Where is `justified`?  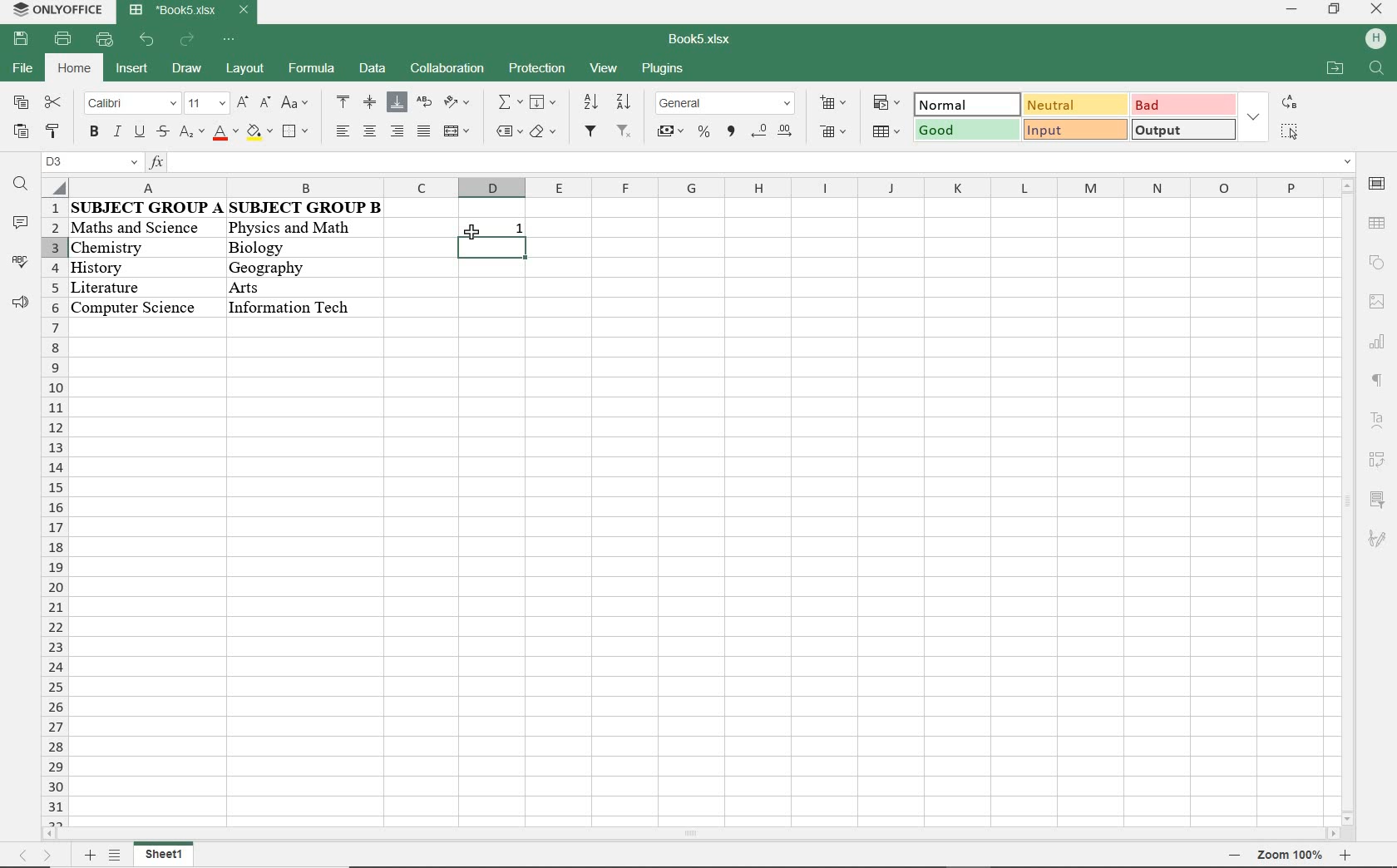
justified is located at coordinates (422, 132).